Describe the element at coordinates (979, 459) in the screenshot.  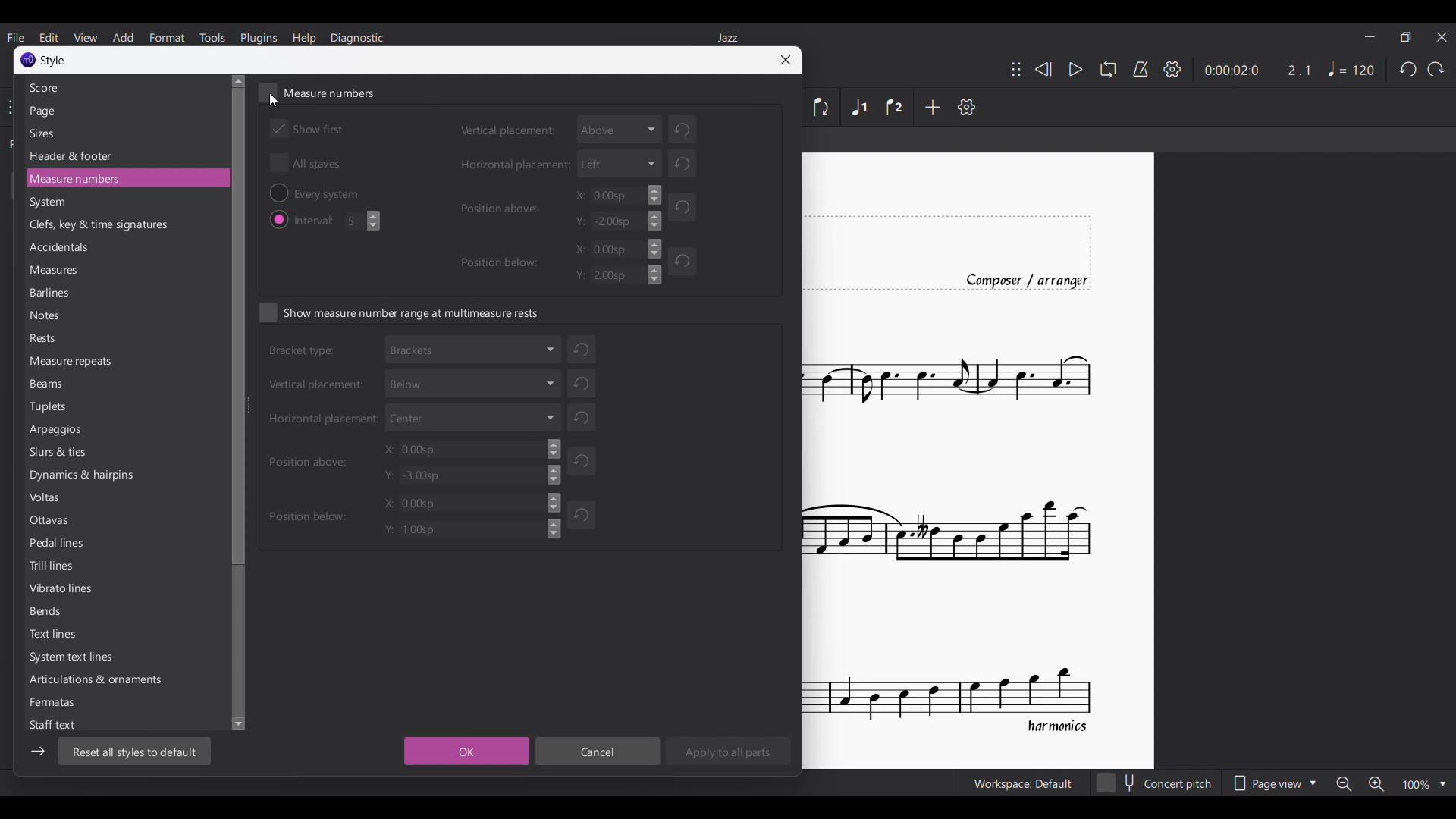
I see `Current score` at that location.